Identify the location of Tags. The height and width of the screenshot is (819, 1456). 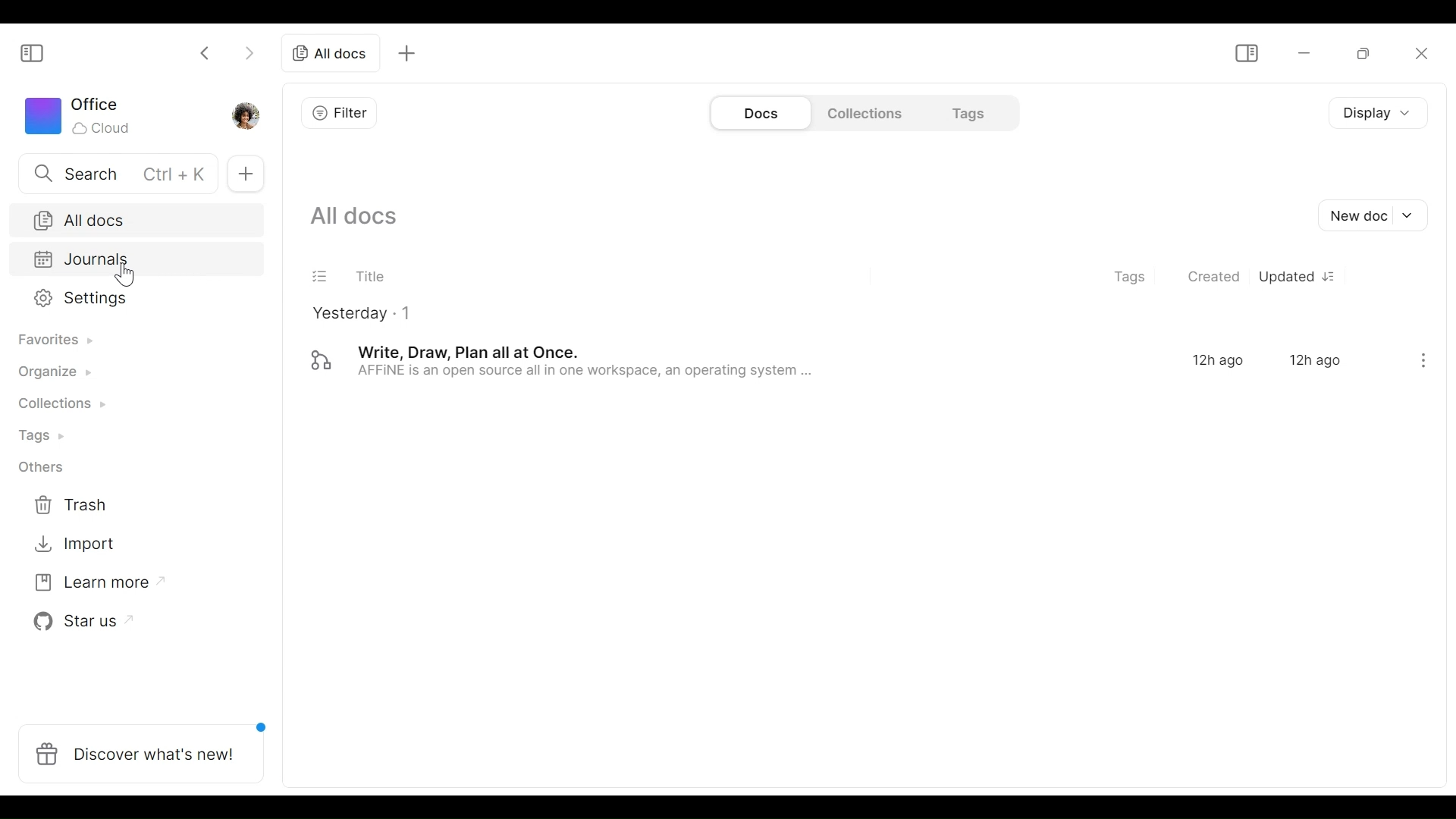
(965, 111).